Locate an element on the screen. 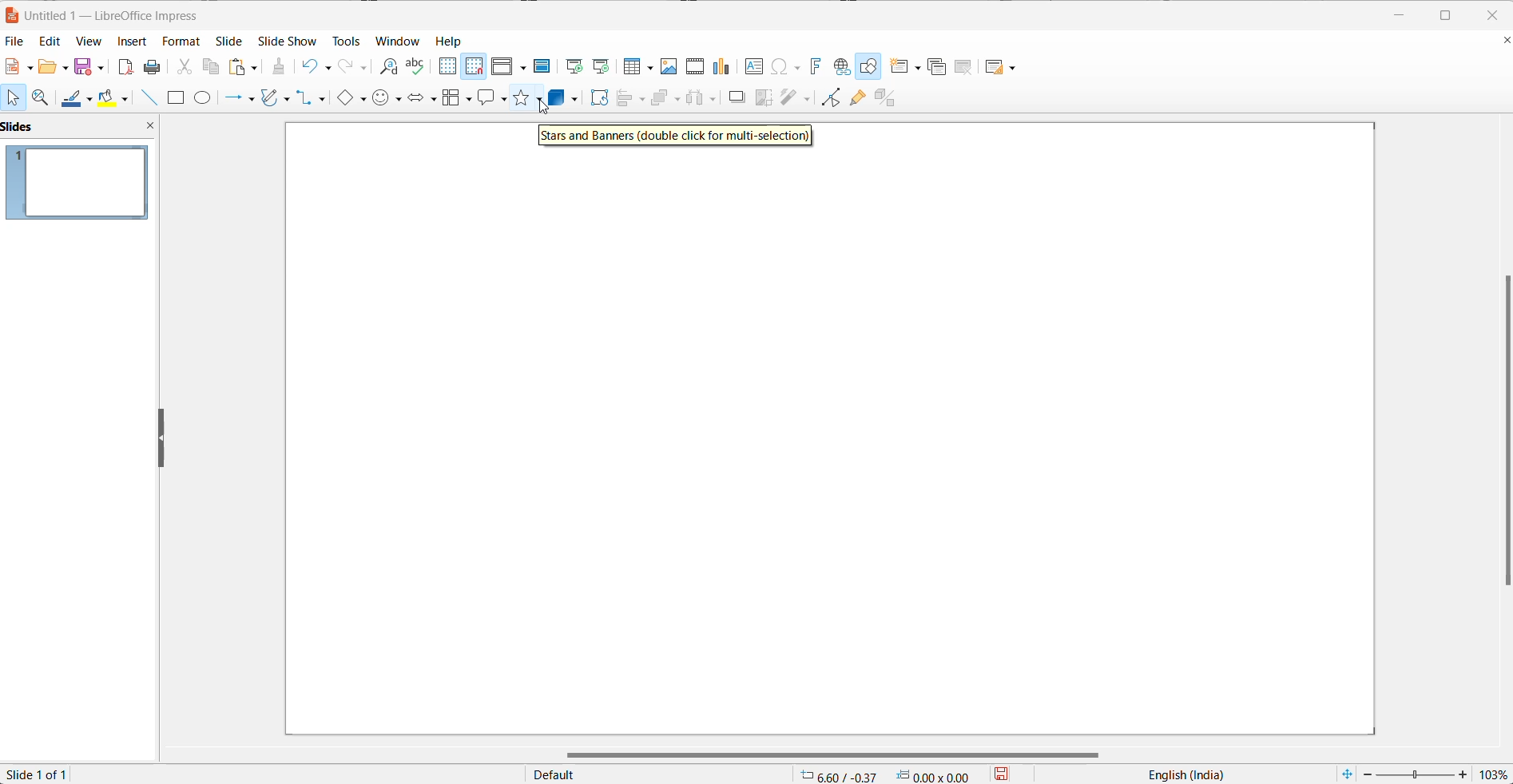  insert hyperlink is located at coordinates (841, 66).